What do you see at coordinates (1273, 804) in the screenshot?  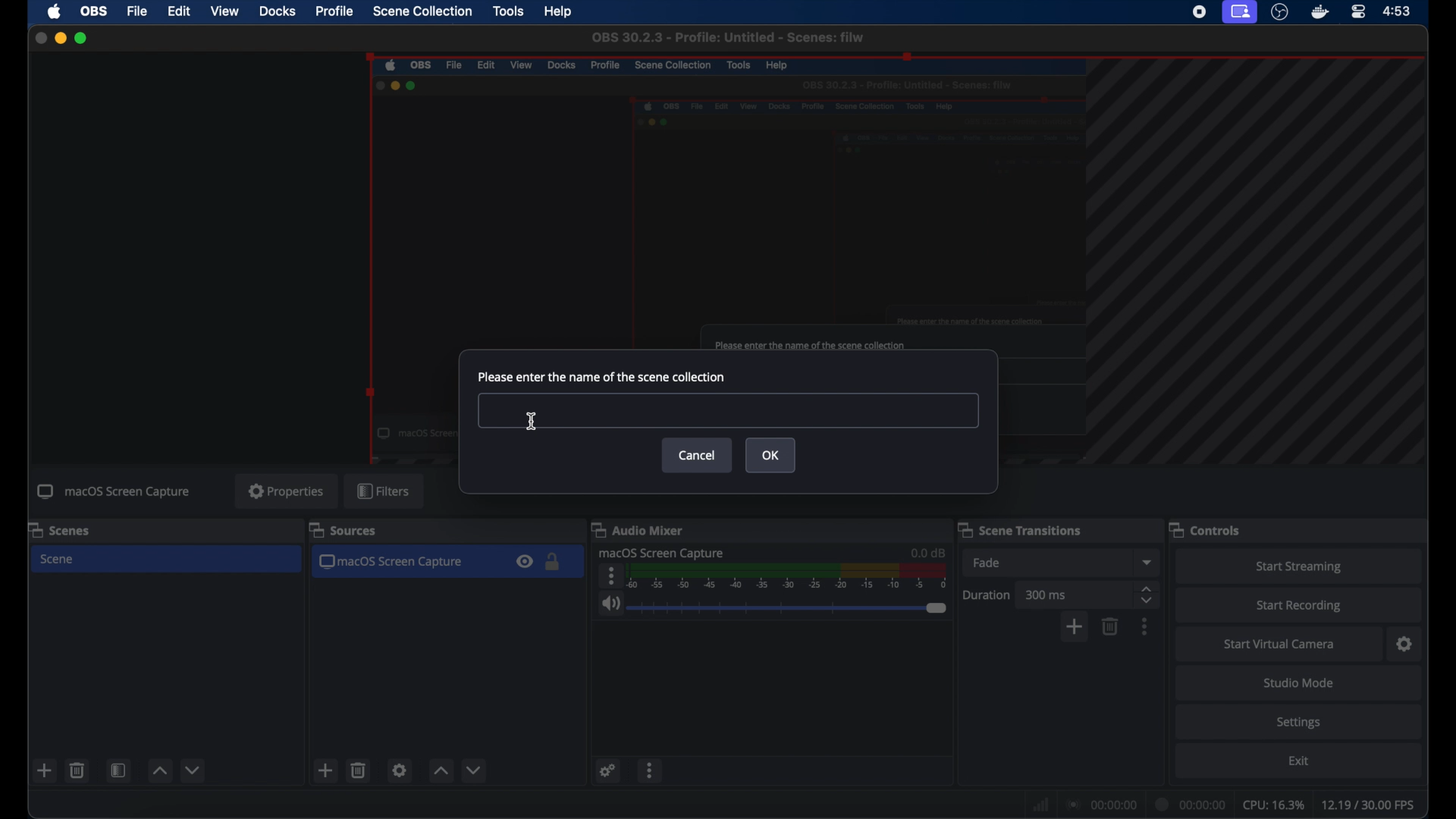 I see `cpu` at bounding box center [1273, 804].